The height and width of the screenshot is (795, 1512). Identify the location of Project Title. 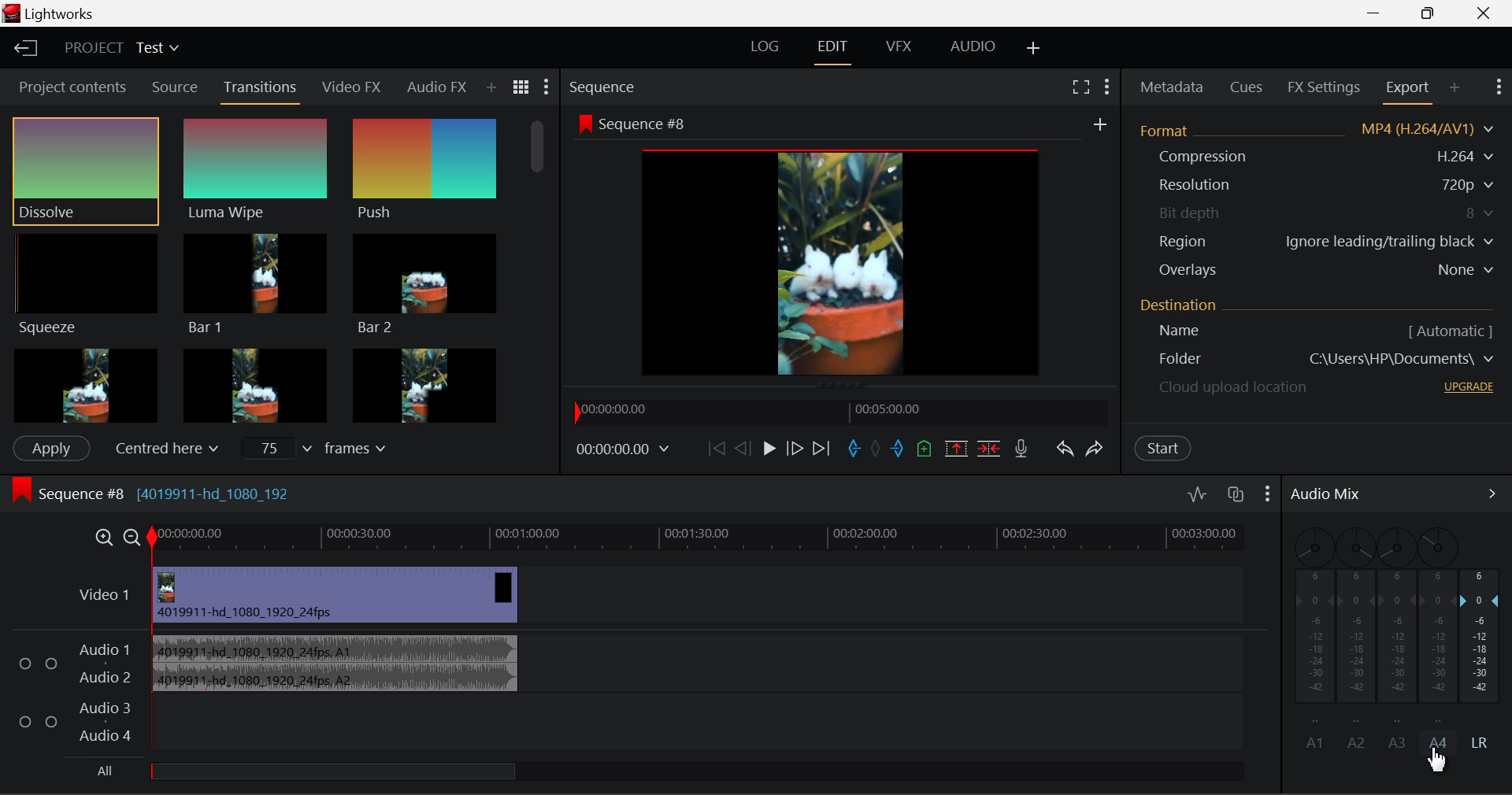
(120, 46).